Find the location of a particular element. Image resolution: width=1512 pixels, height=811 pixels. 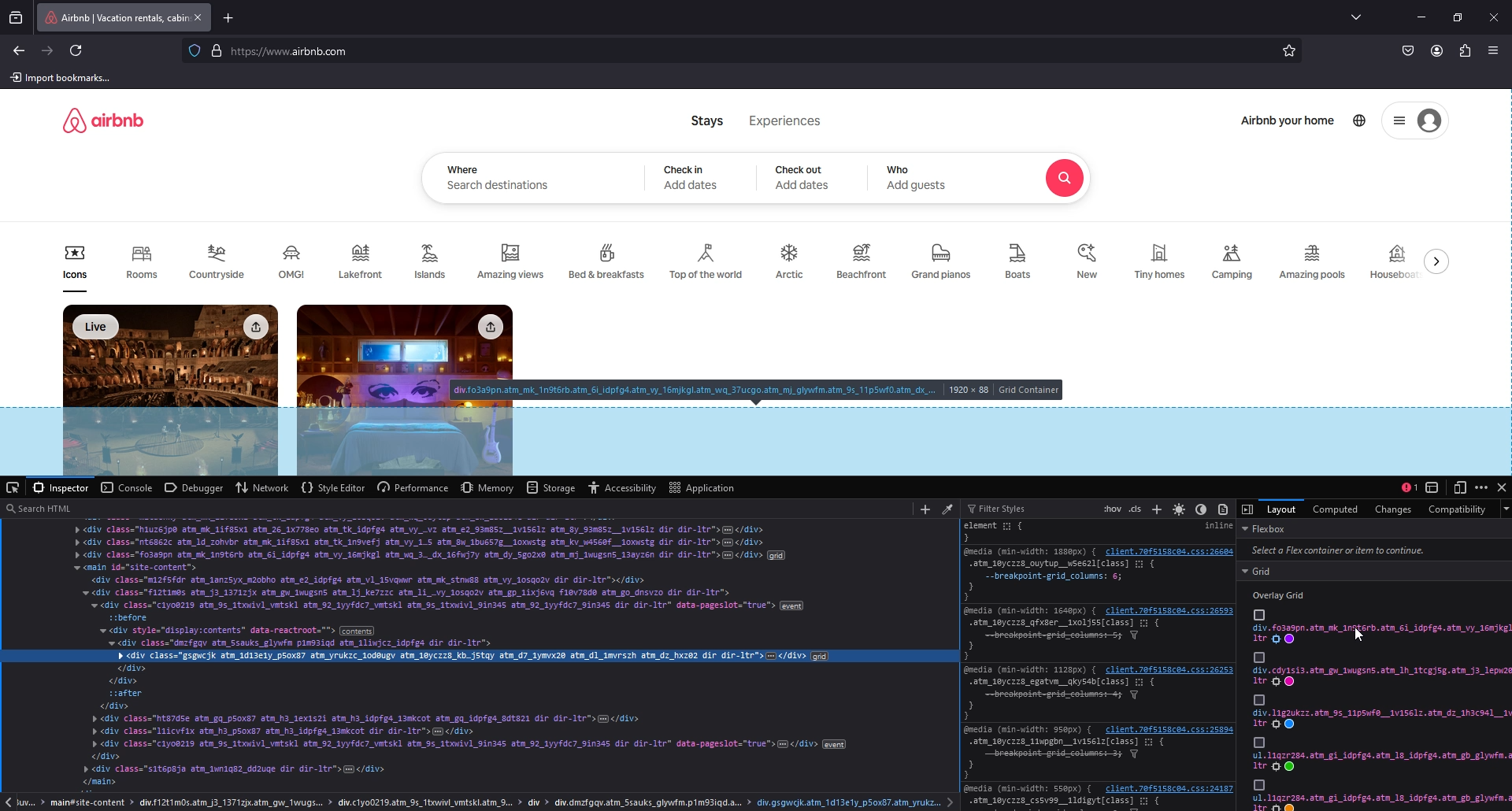

swipe to right is located at coordinates (1440, 261).